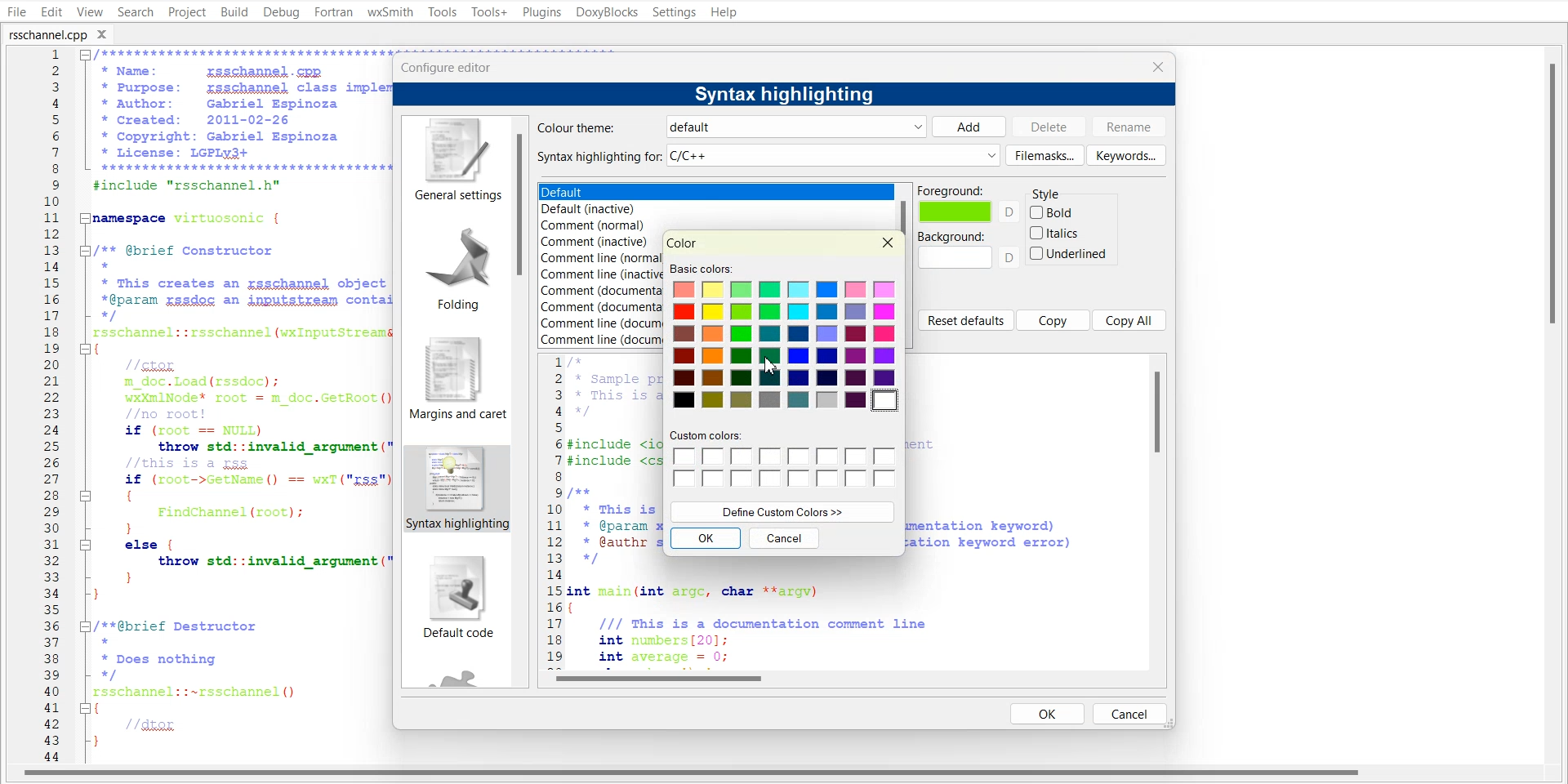 The width and height of the screenshot is (1568, 784). What do you see at coordinates (1056, 233) in the screenshot?
I see `Italics` at bounding box center [1056, 233].